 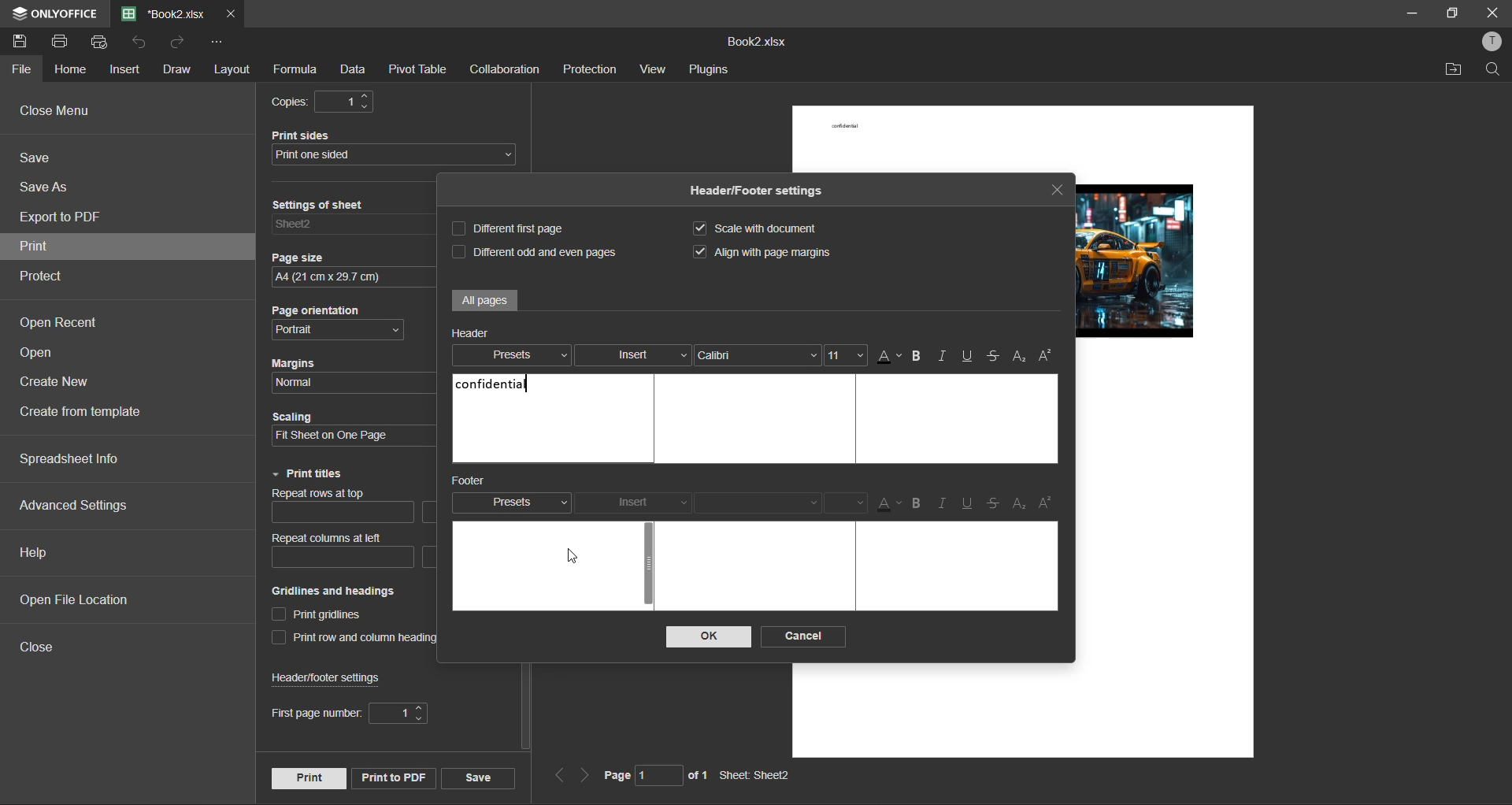 I want to click on font style, so click(x=758, y=503).